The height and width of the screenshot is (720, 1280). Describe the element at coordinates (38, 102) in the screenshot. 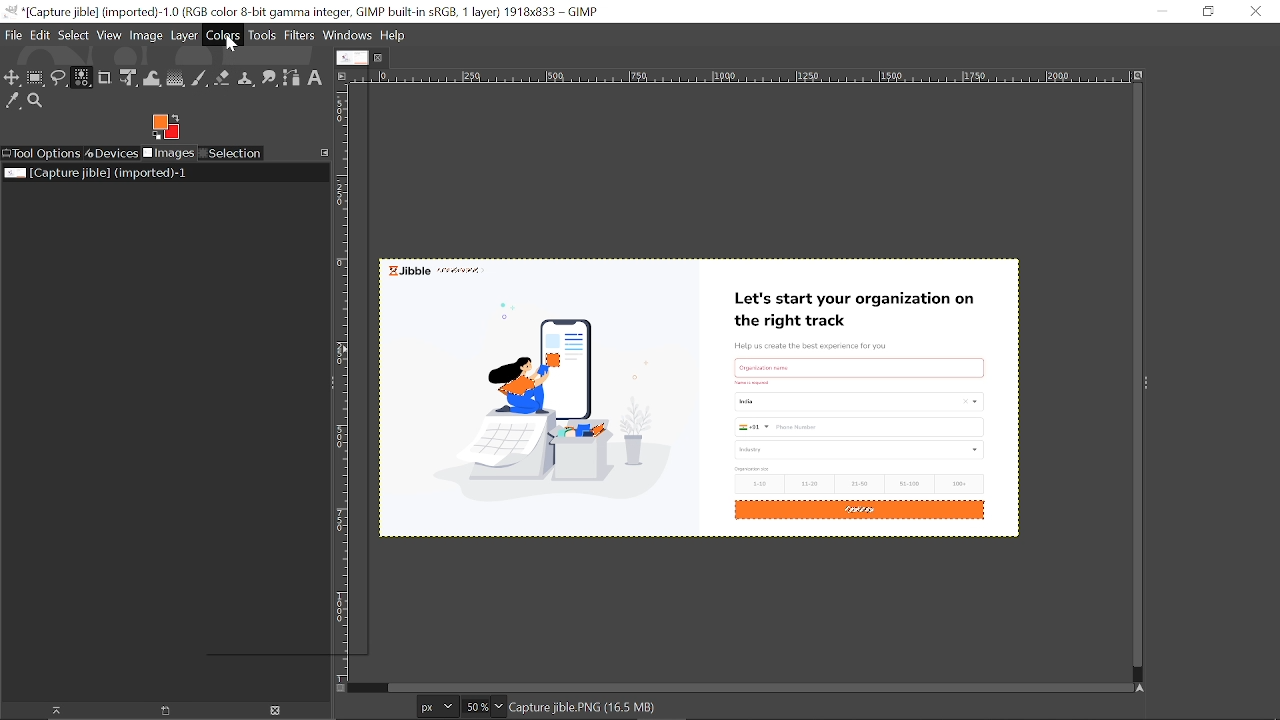

I see `Zoom tool` at that location.